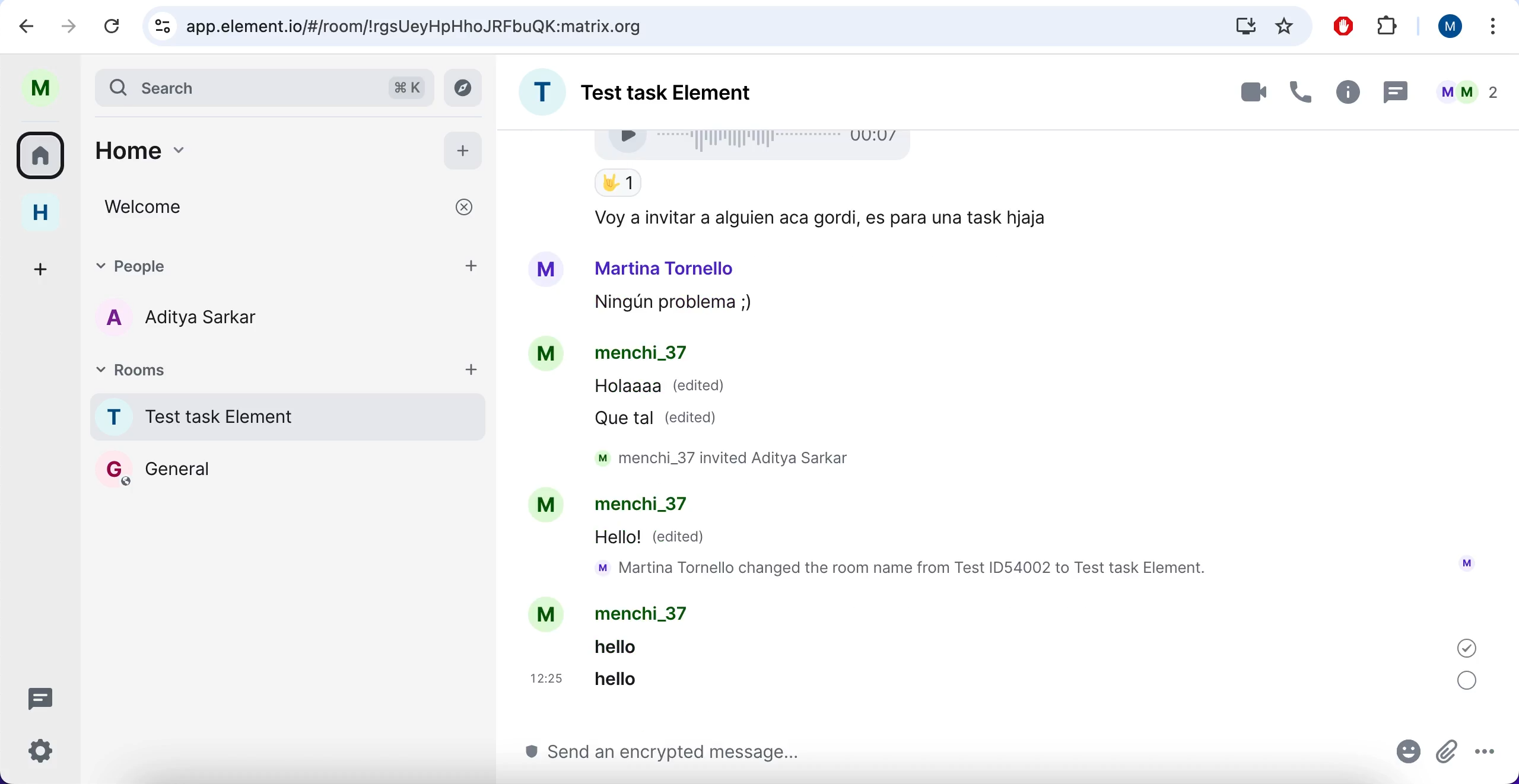  What do you see at coordinates (198, 320) in the screenshot?
I see `users ` at bounding box center [198, 320].